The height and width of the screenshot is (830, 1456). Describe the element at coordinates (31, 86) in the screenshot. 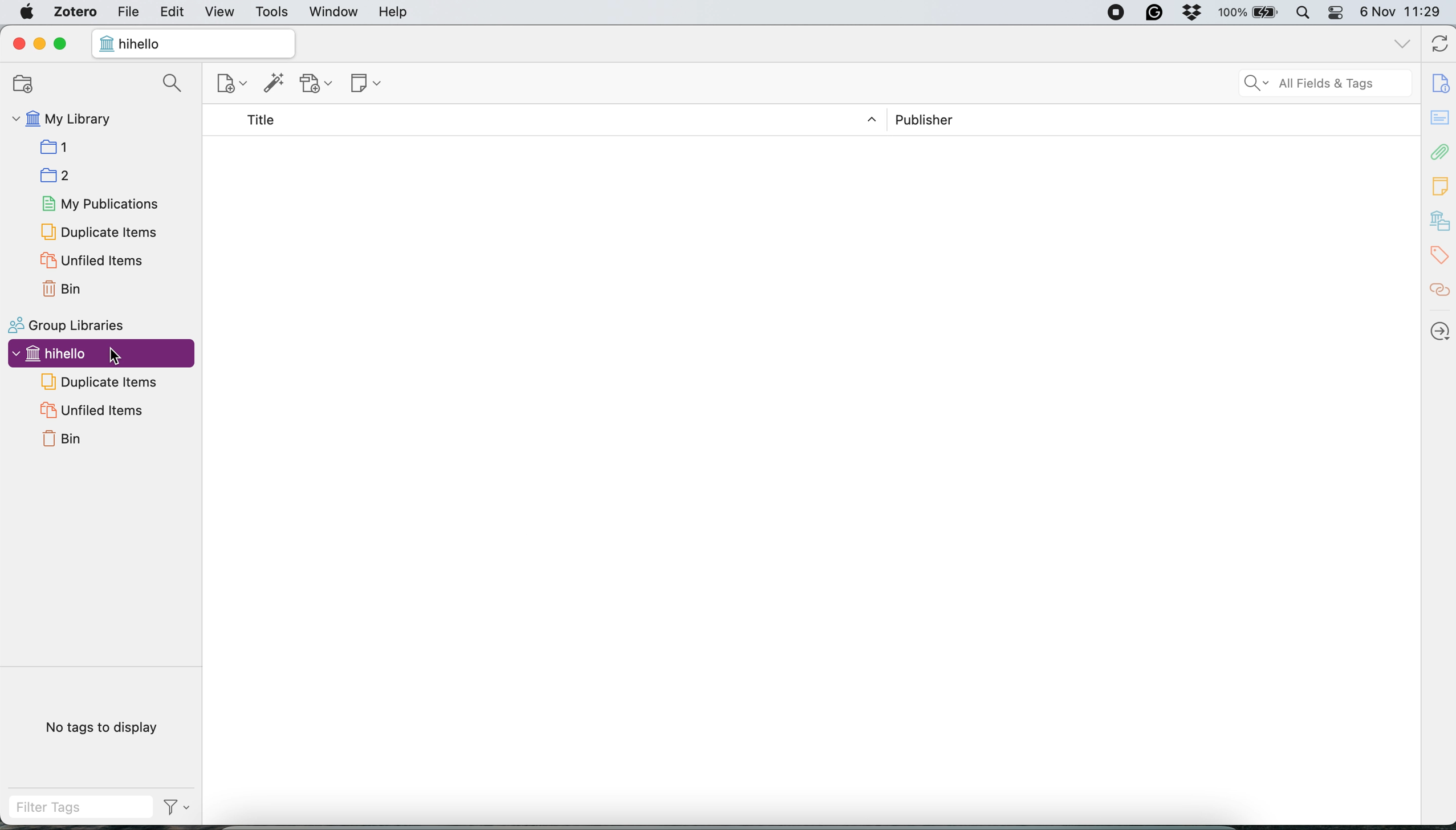

I see `new collection` at that location.